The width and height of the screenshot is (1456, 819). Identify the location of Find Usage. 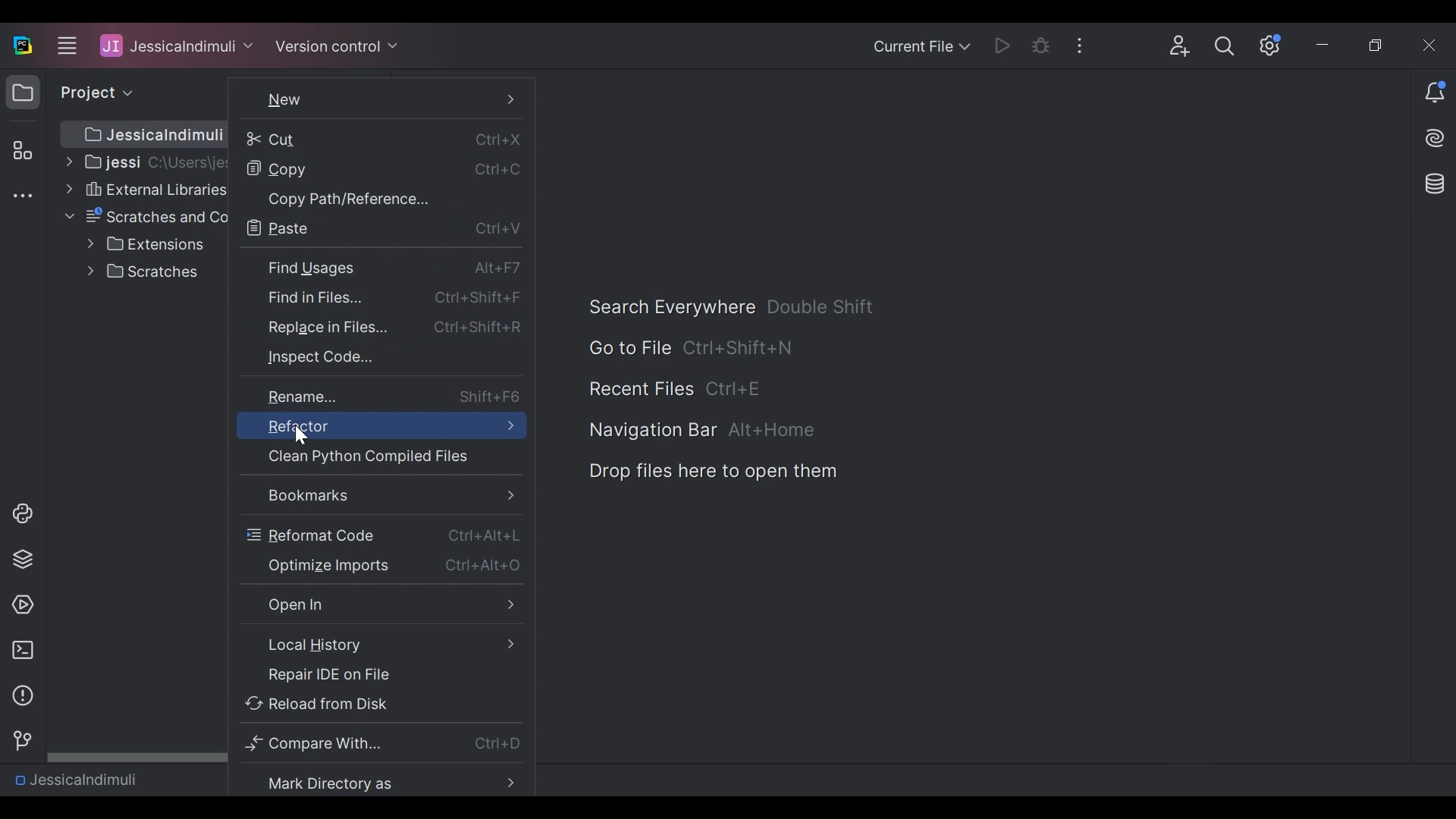
(379, 267).